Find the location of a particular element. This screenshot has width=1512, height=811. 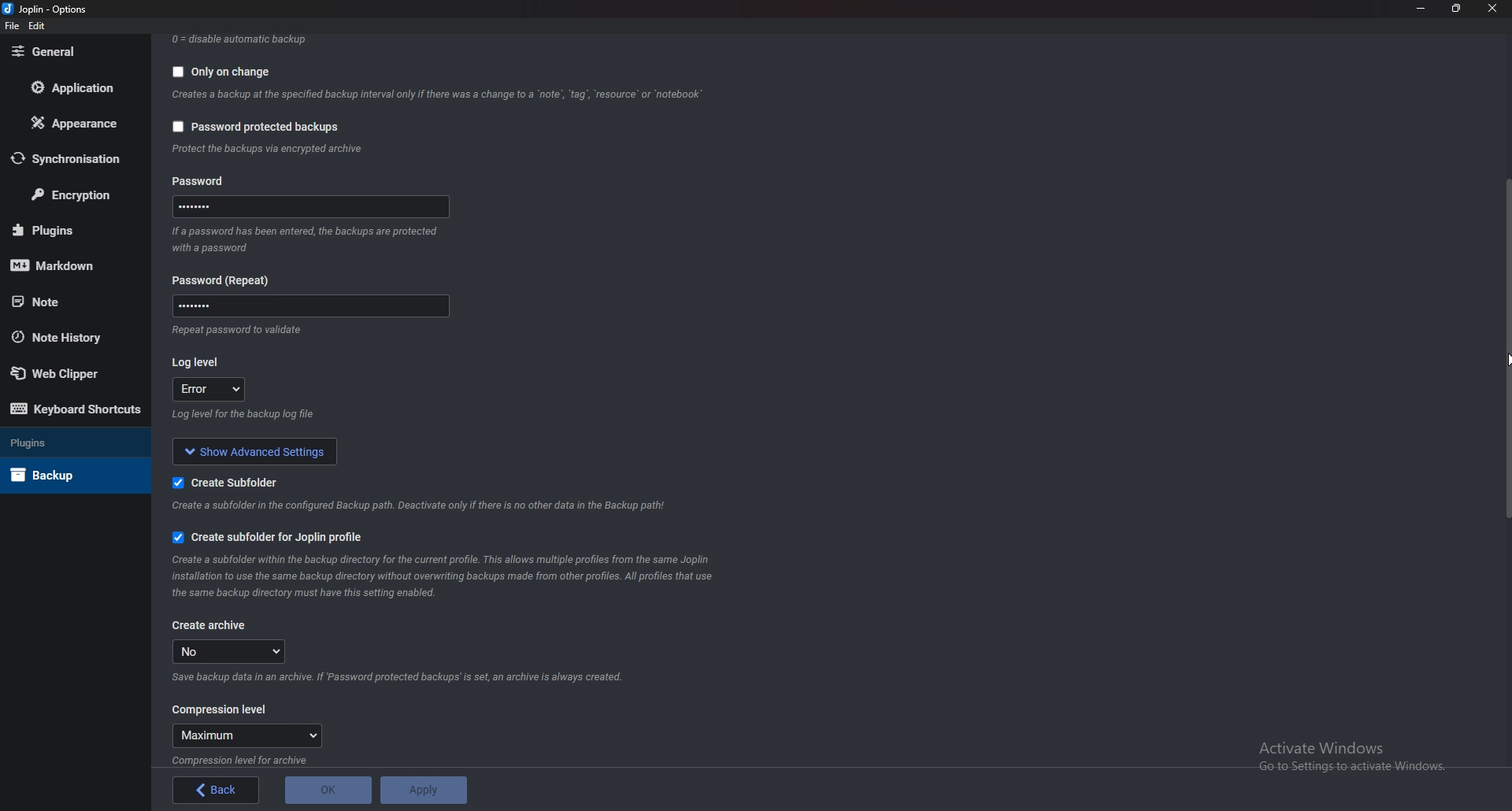

Application is located at coordinates (75, 87).